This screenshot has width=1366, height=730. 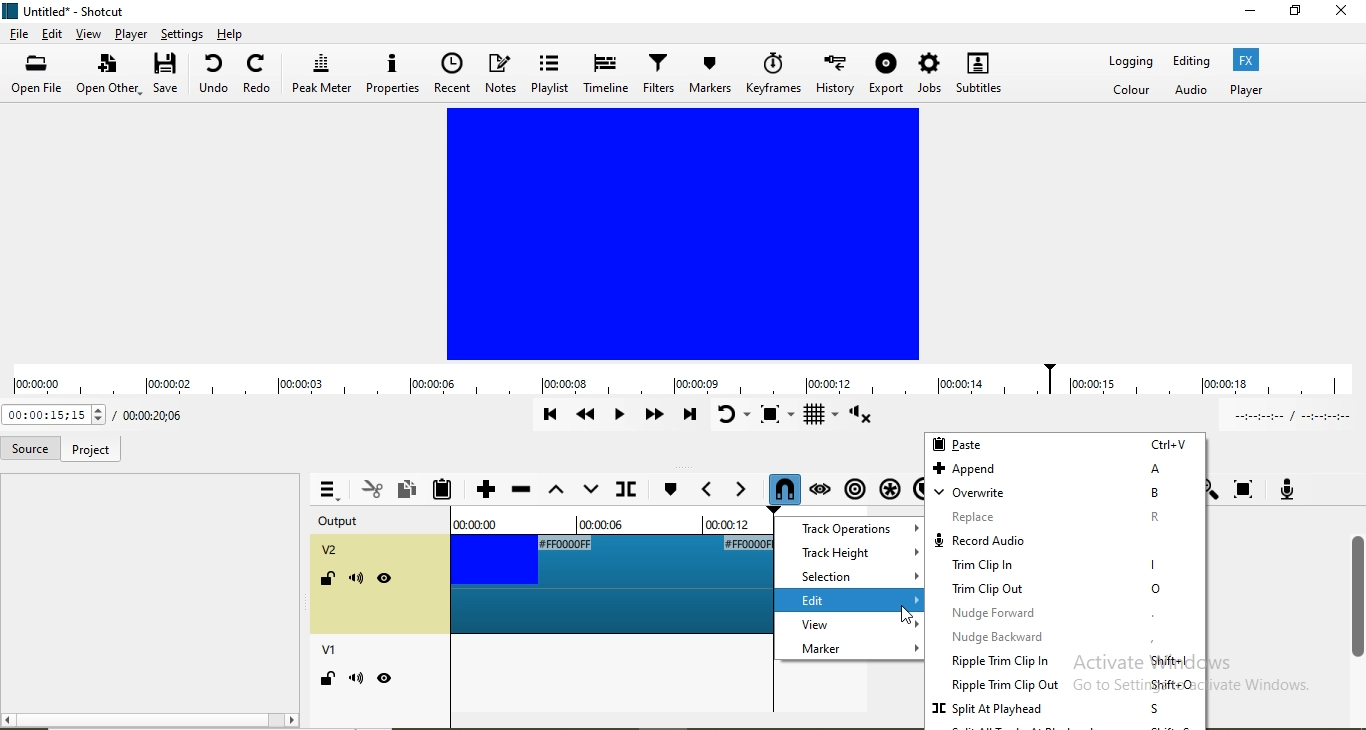 What do you see at coordinates (325, 681) in the screenshot?
I see `lock` at bounding box center [325, 681].